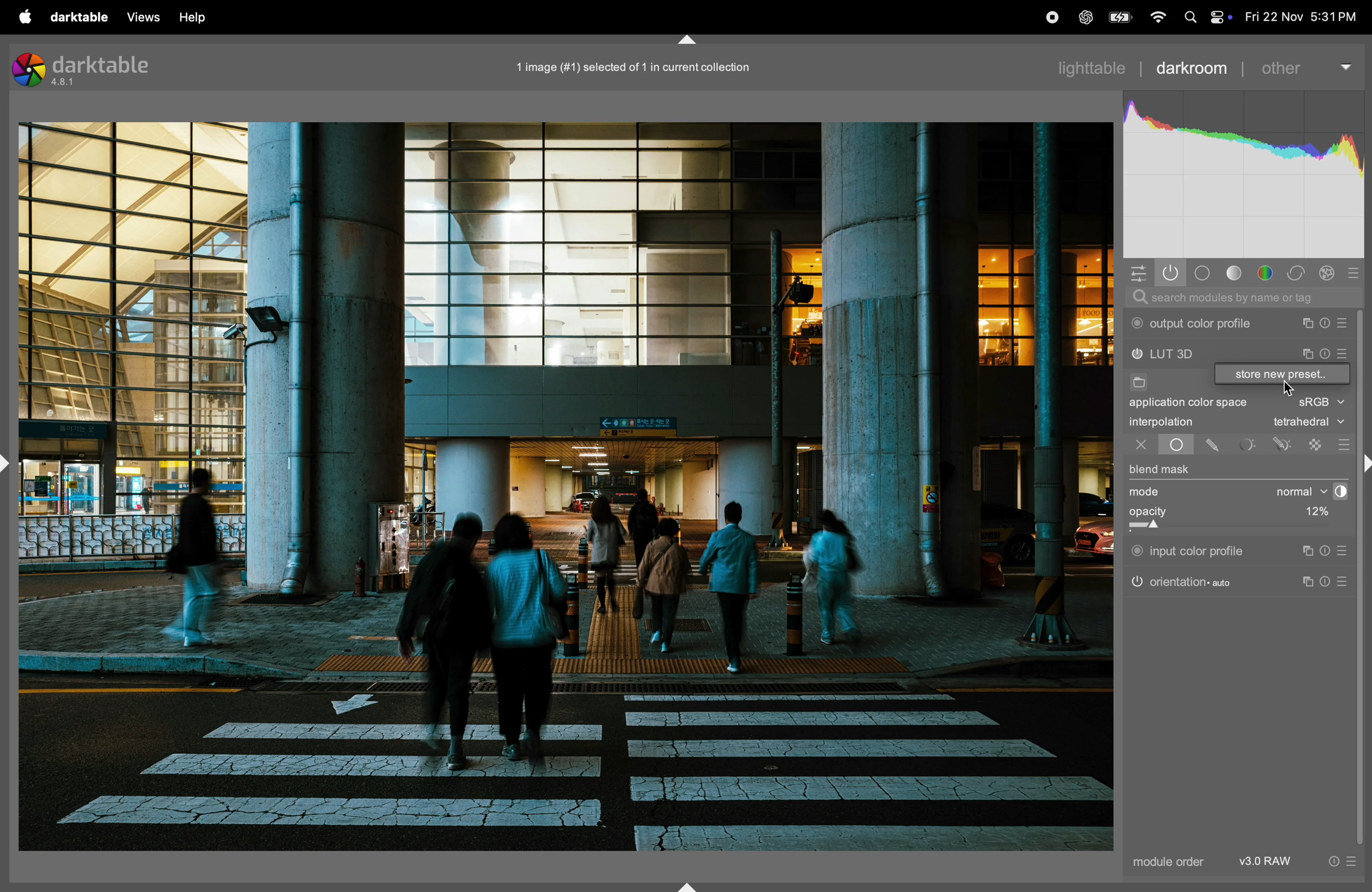 The height and width of the screenshot is (892, 1372). I want to click on input color profile, so click(1189, 549).